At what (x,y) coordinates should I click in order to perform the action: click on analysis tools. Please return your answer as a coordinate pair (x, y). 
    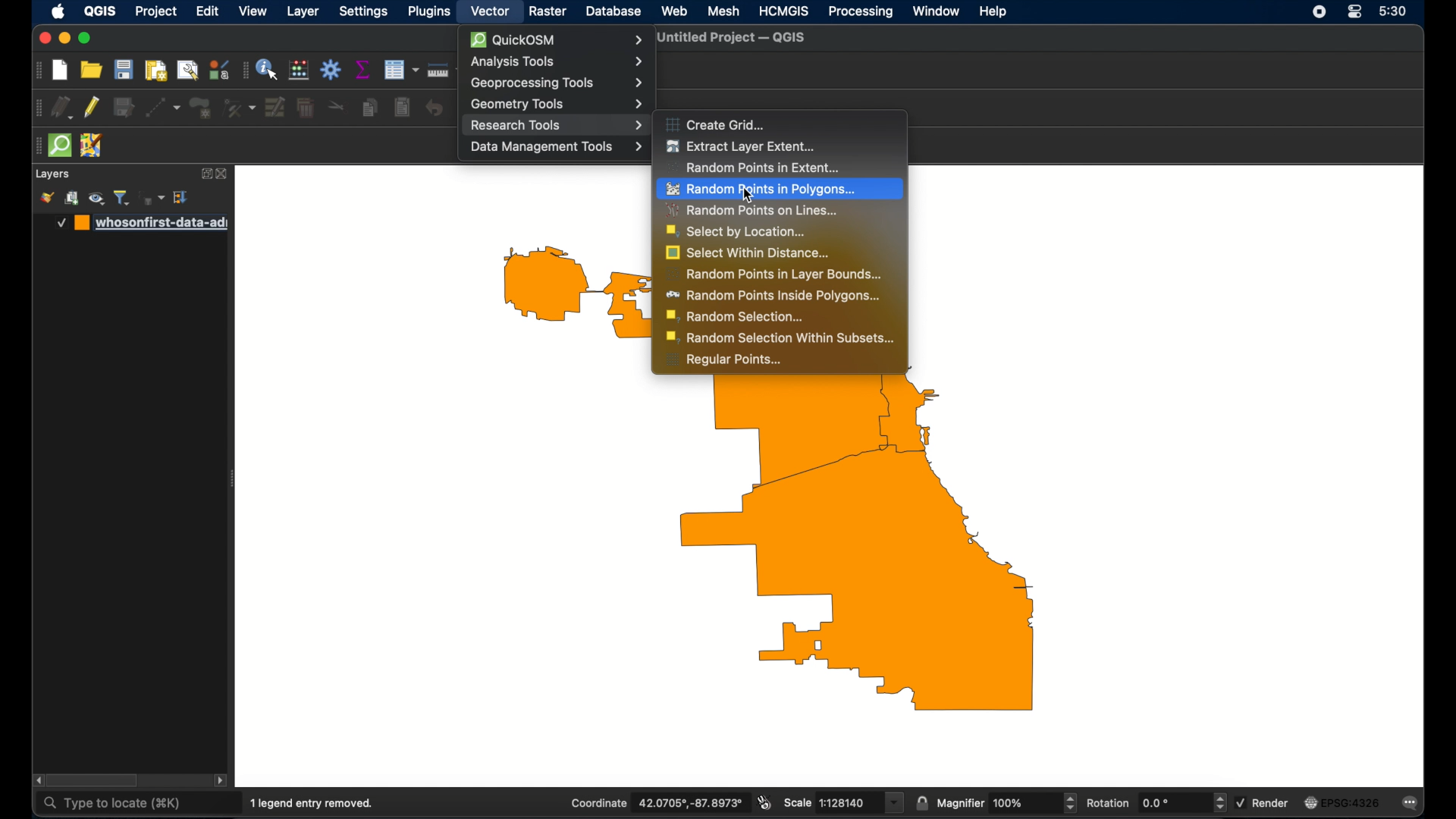
    Looking at the image, I should click on (556, 61).